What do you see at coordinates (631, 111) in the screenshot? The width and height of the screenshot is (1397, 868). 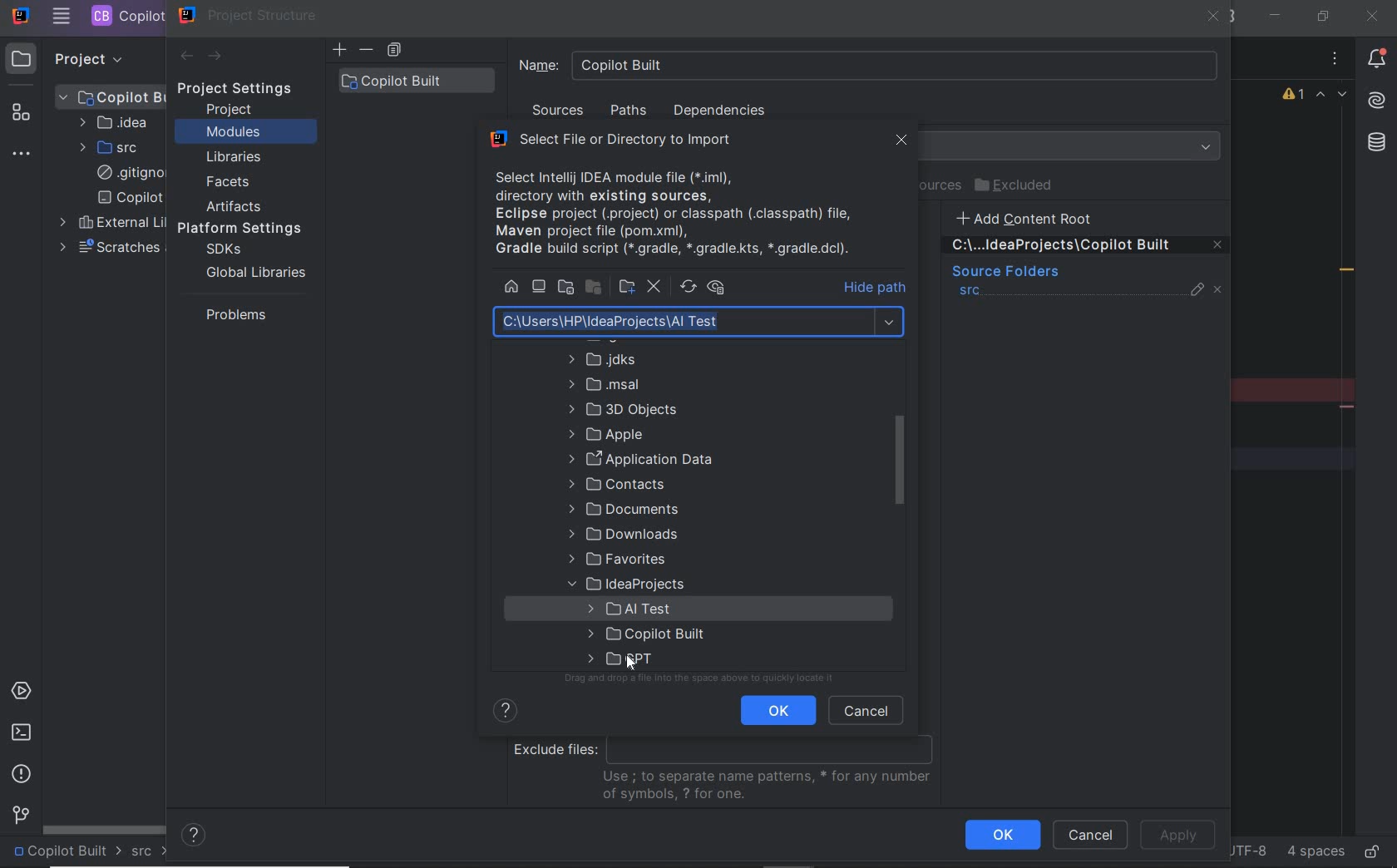 I see `paths` at bounding box center [631, 111].